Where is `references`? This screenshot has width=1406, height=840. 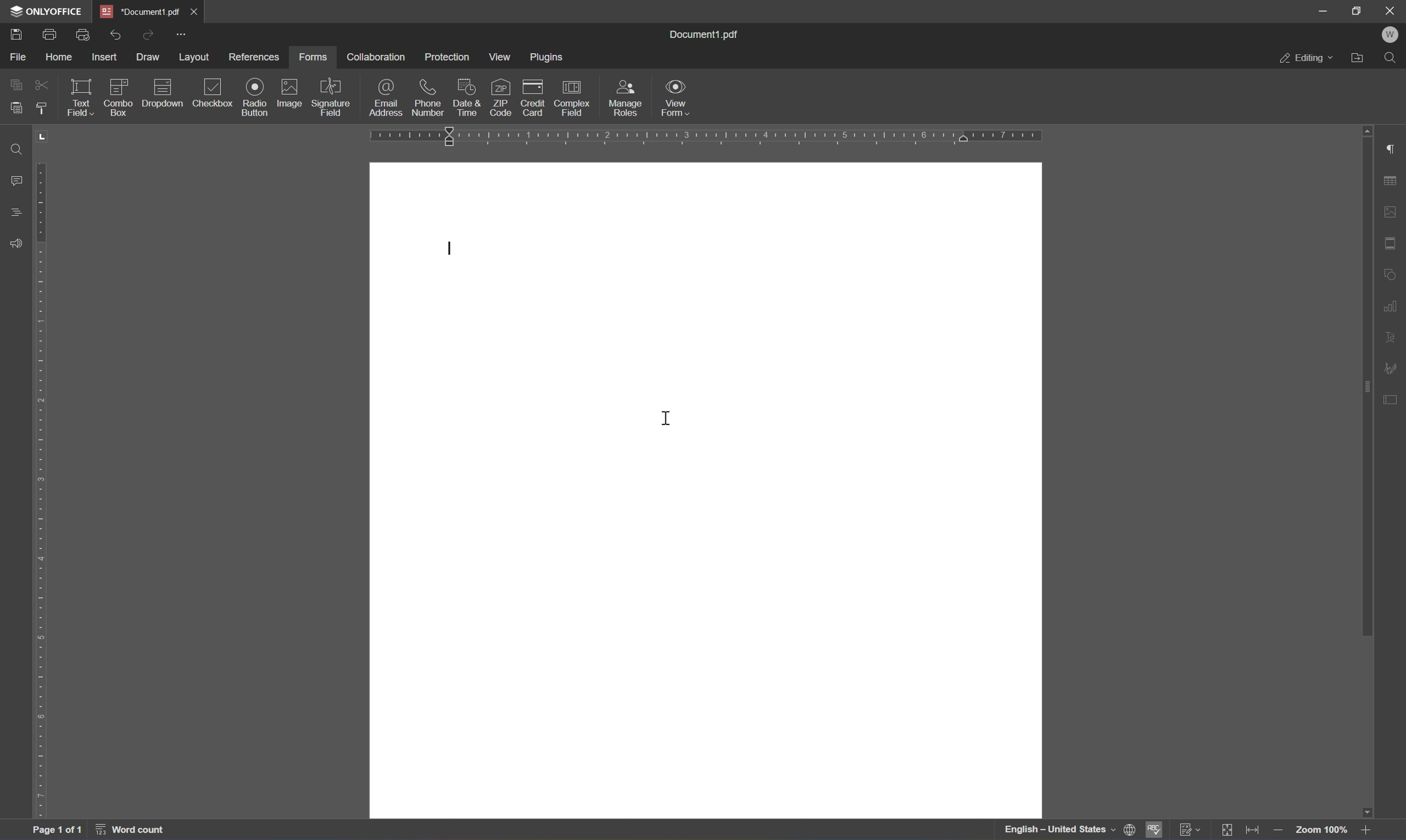
references is located at coordinates (255, 55).